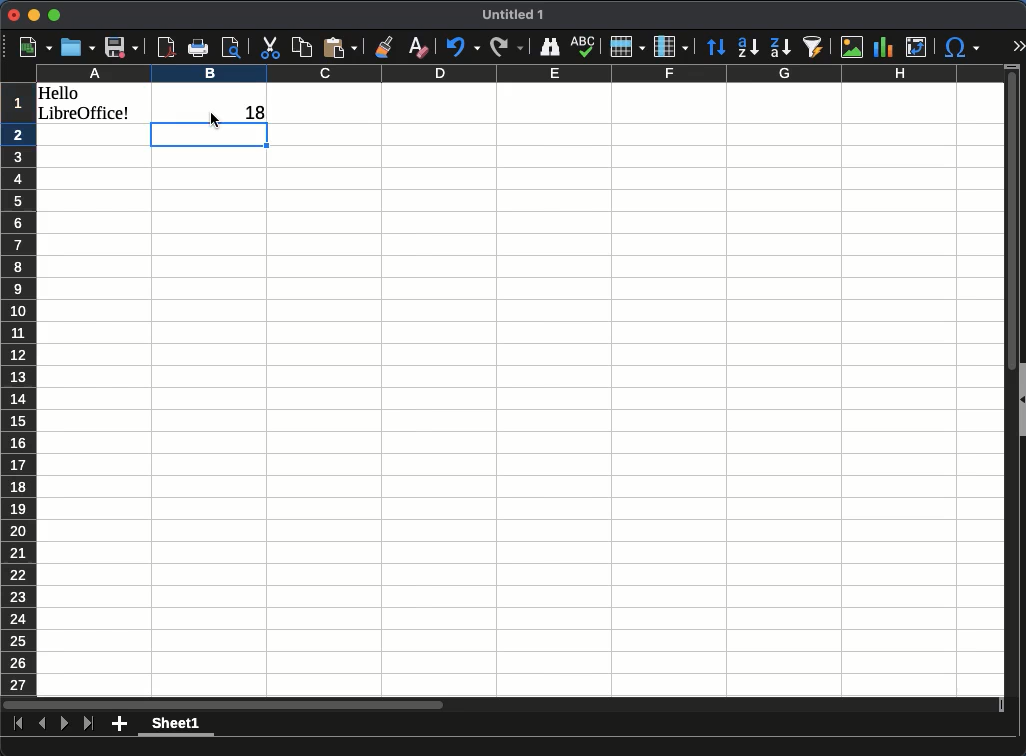 The image size is (1026, 756). Describe the element at coordinates (960, 44) in the screenshot. I see `special character` at that location.